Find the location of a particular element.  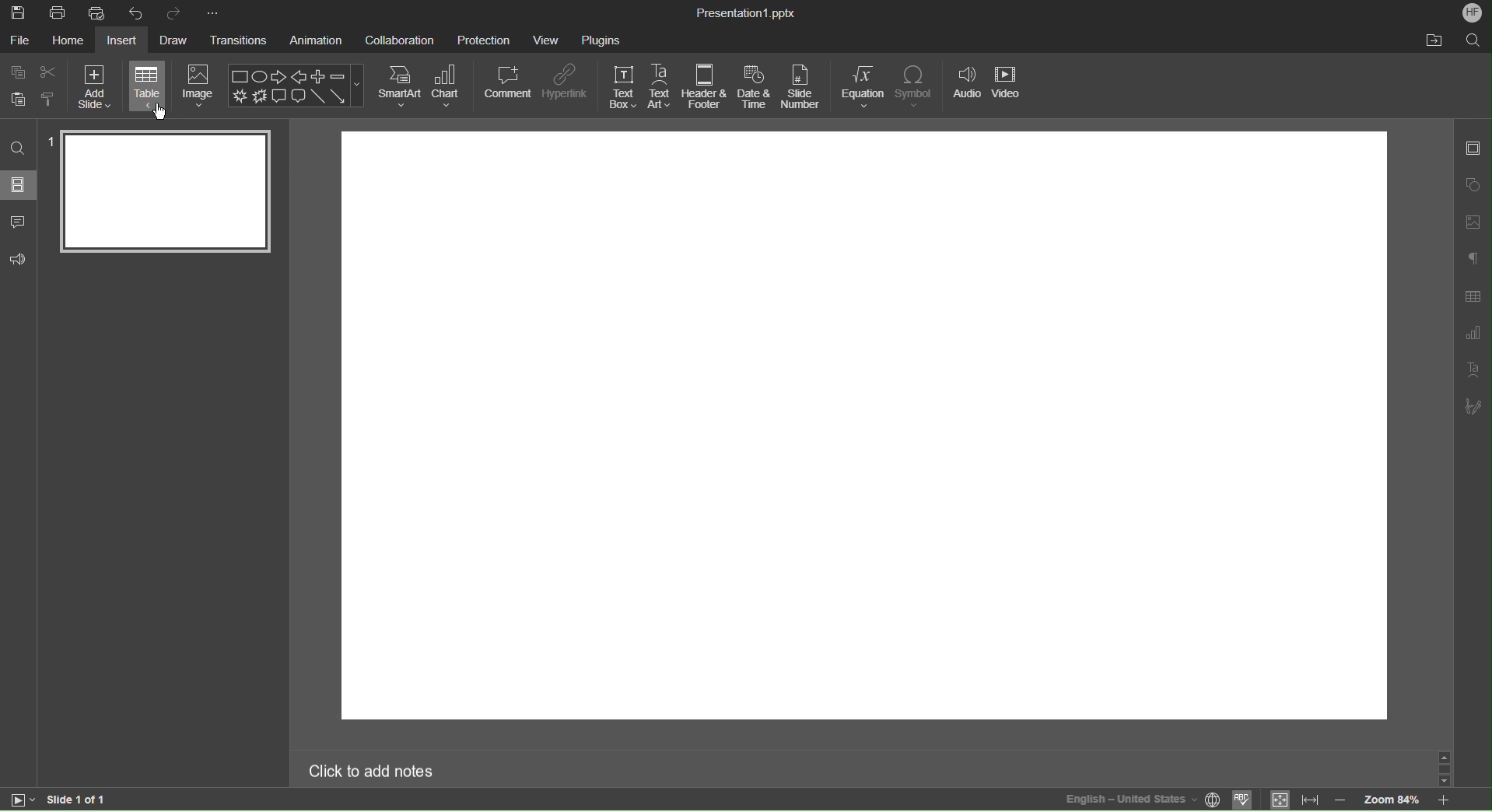

More is located at coordinates (219, 13).